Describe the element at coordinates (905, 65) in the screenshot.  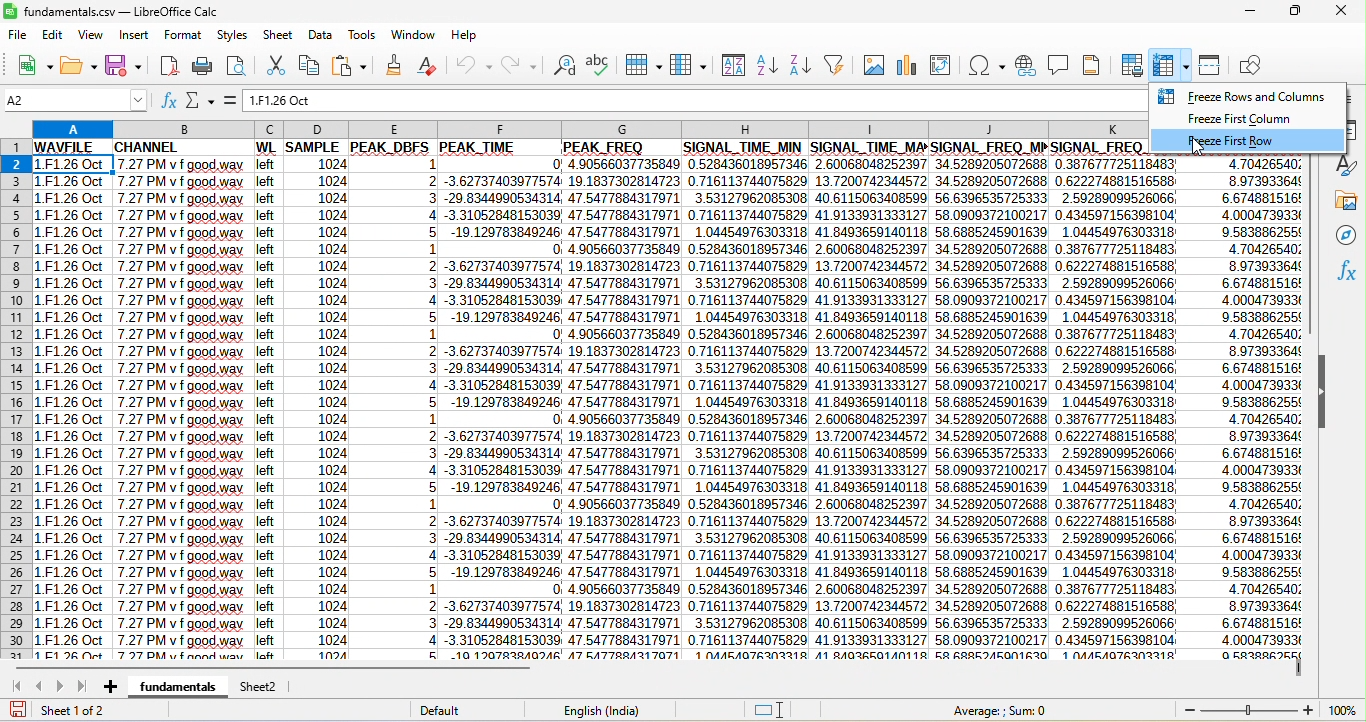
I see `chart` at that location.